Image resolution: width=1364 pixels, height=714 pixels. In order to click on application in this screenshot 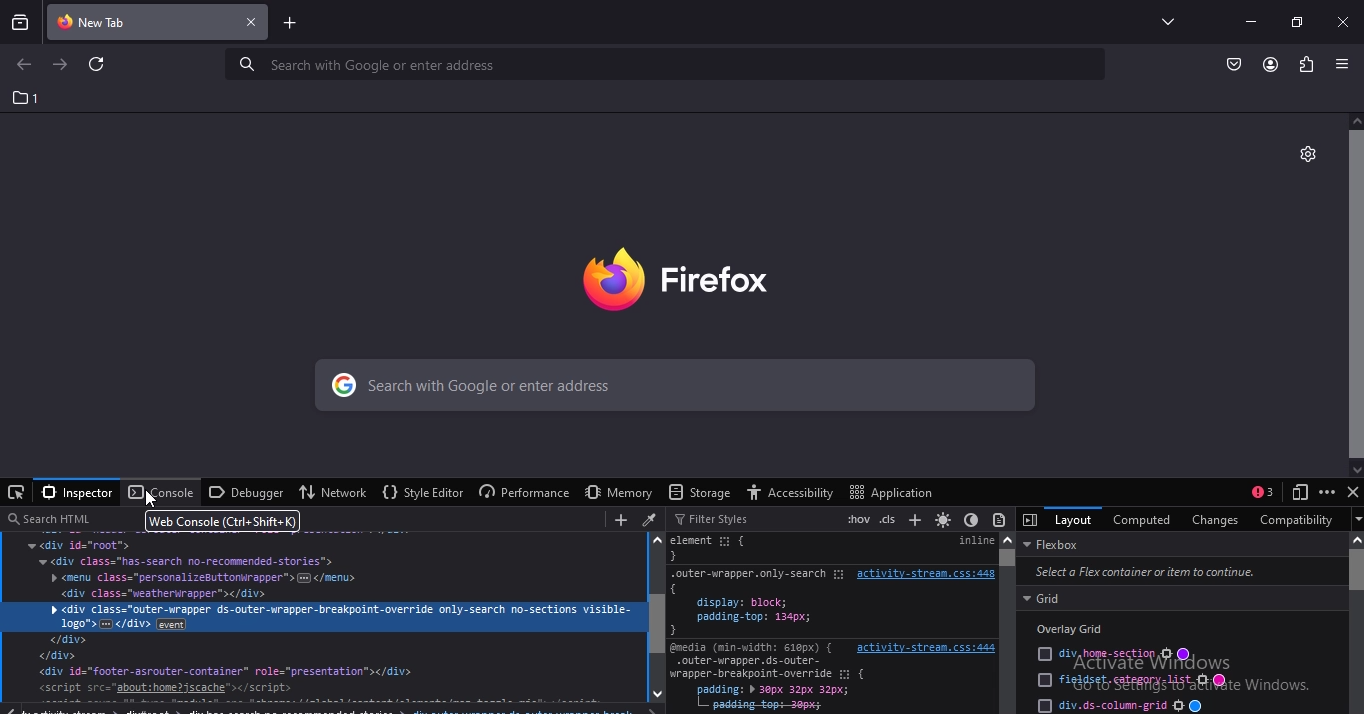, I will do `click(889, 492)`.